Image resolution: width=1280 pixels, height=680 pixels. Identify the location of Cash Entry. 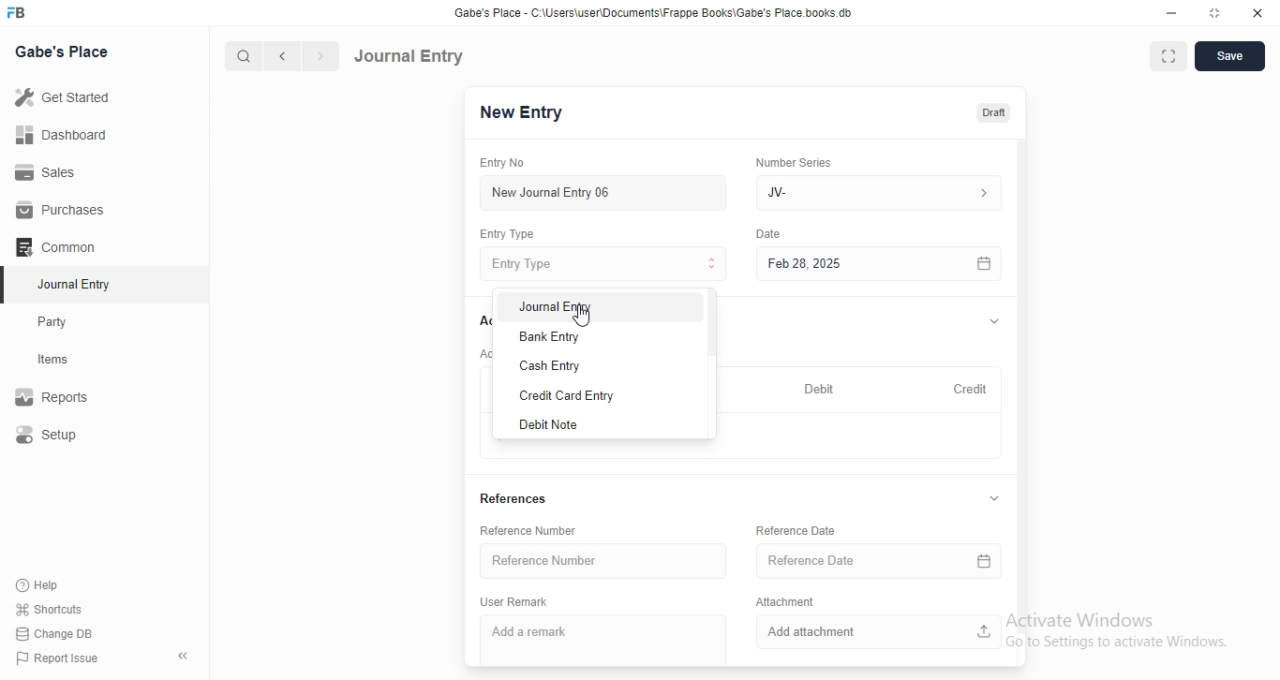
(608, 366).